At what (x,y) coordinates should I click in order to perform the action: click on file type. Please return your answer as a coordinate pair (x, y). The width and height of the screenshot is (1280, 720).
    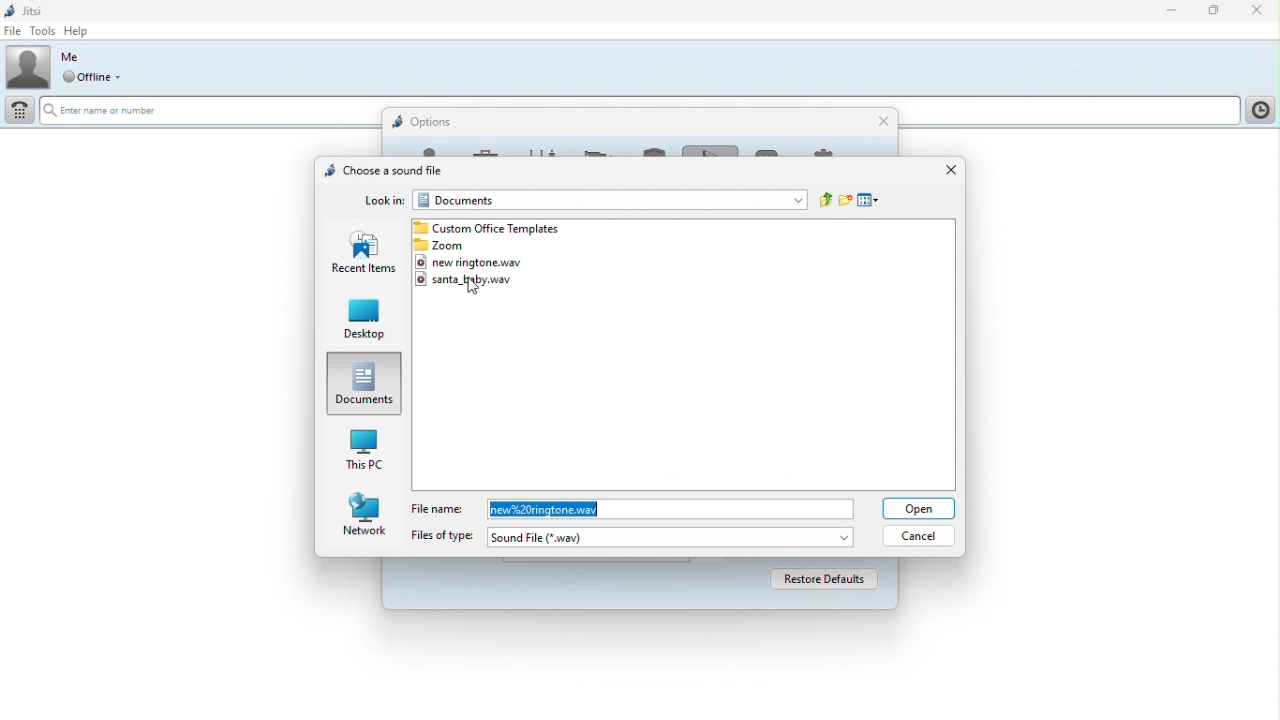
    Looking at the image, I should click on (671, 536).